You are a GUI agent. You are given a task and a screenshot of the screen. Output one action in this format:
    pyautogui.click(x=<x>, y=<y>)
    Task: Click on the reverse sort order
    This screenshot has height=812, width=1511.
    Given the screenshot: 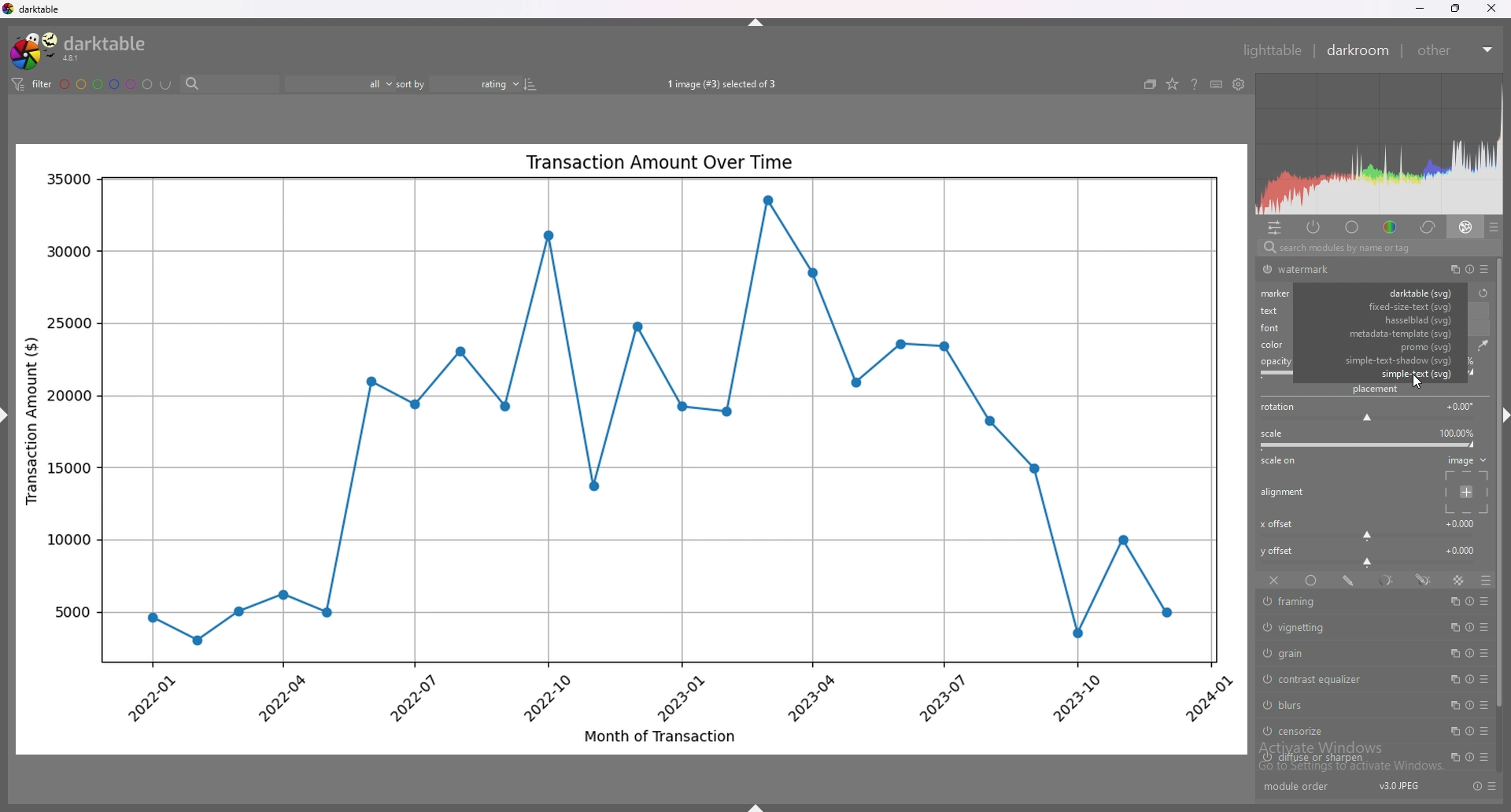 What is the action you would take?
    pyautogui.click(x=530, y=83)
    